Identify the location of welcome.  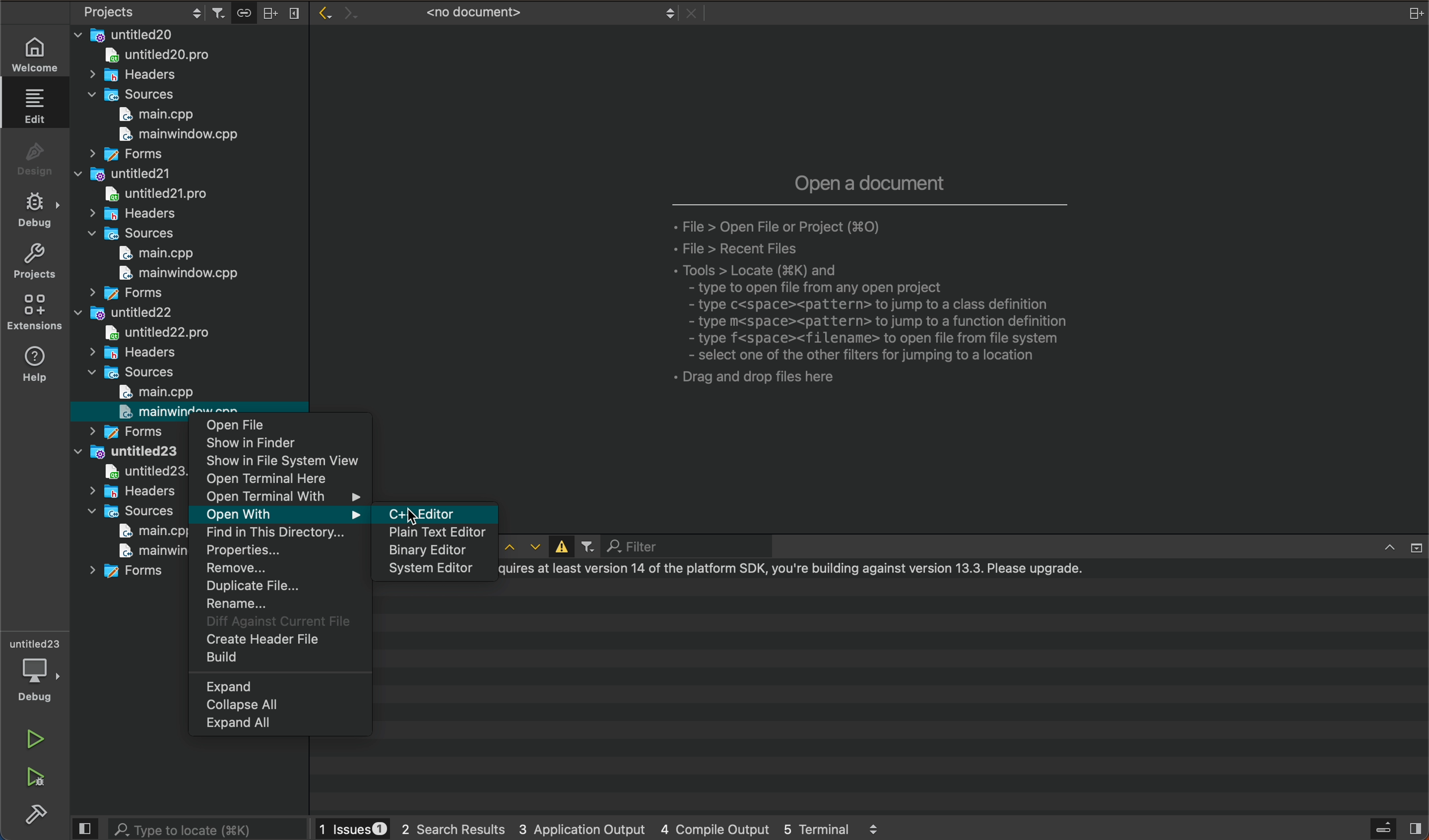
(34, 51).